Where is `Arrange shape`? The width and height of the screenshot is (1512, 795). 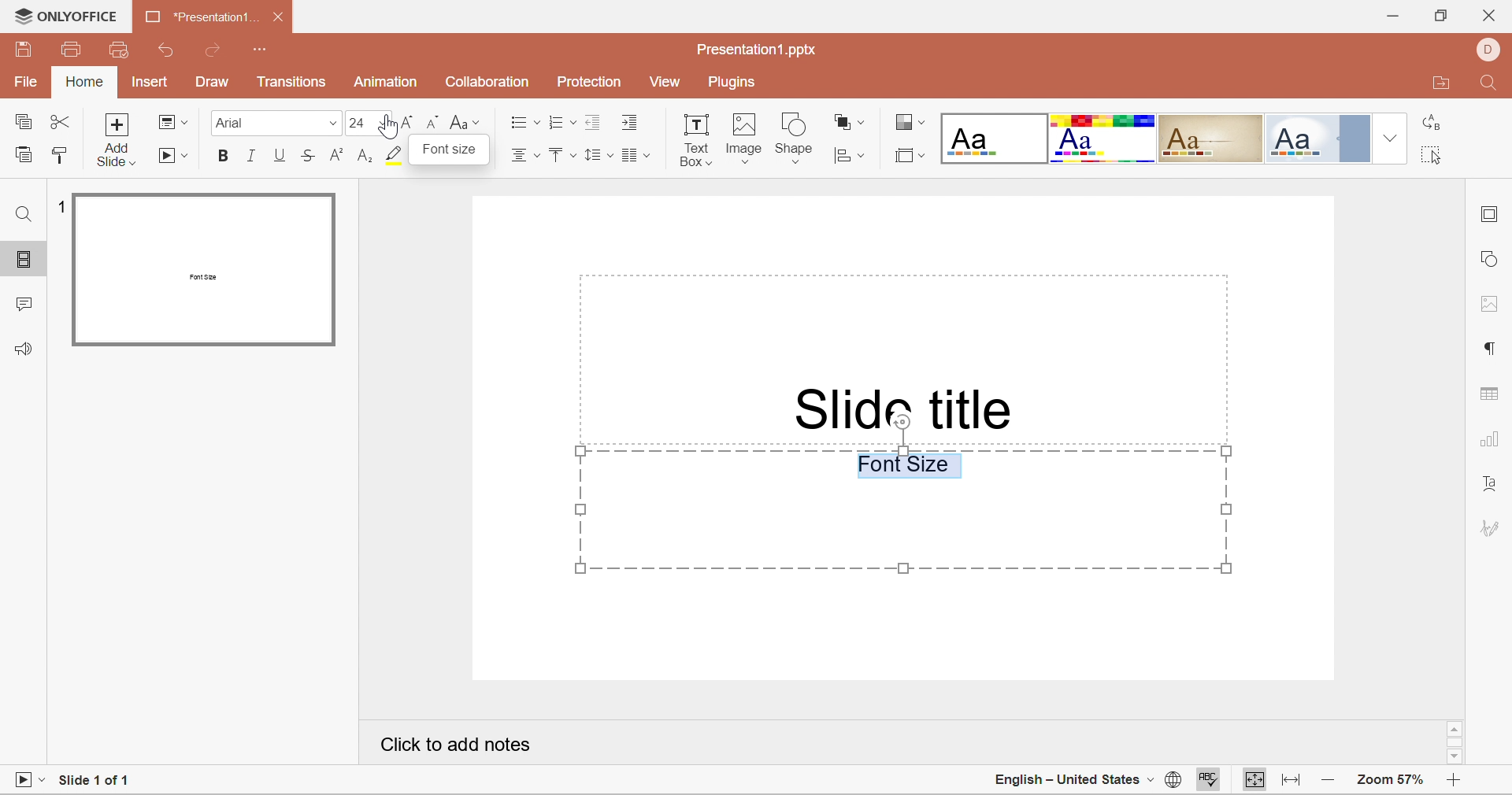
Arrange shape is located at coordinates (848, 121).